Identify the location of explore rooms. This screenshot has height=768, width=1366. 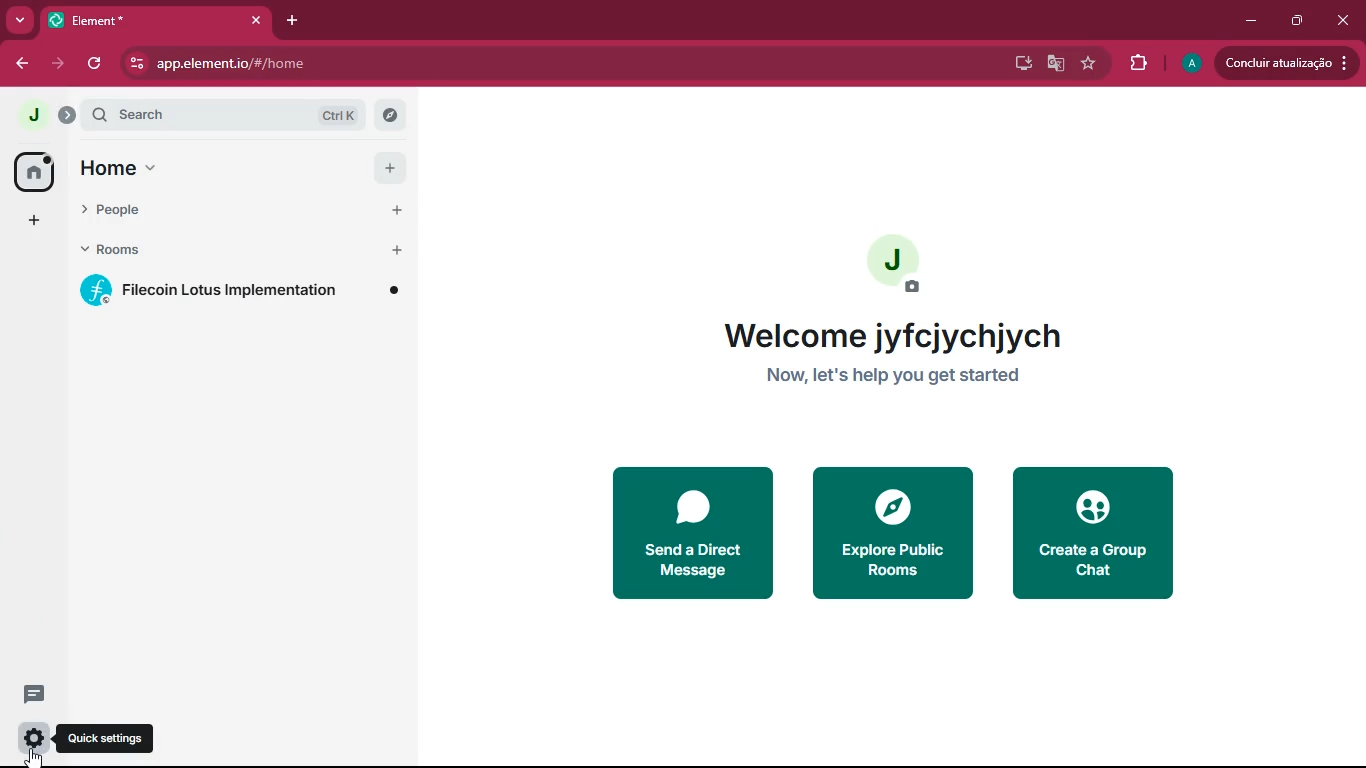
(390, 115).